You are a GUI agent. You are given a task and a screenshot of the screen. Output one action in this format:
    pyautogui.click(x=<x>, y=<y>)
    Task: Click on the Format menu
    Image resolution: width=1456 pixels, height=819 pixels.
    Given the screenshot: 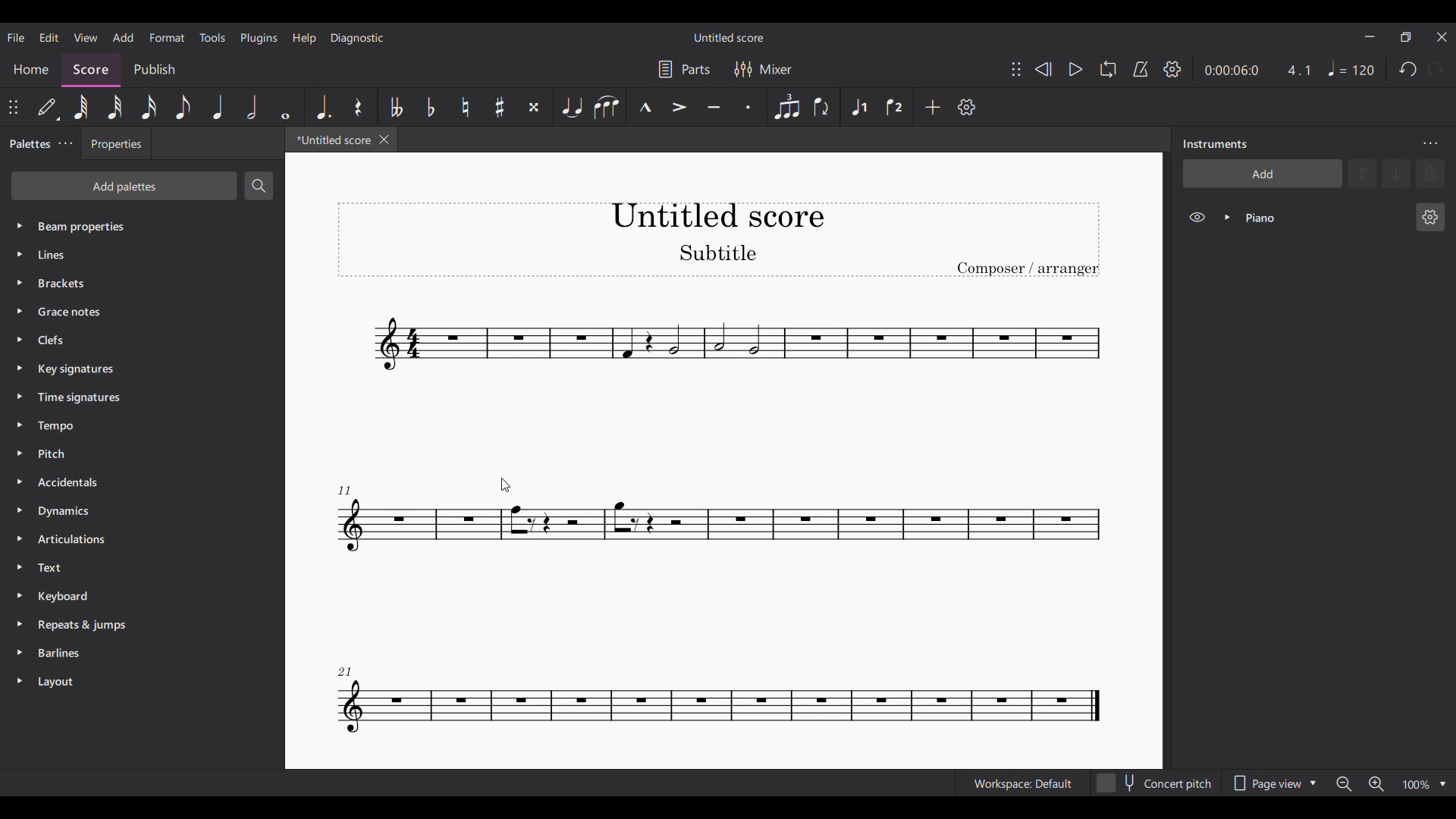 What is the action you would take?
    pyautogui.click(x=167, y=37)
    